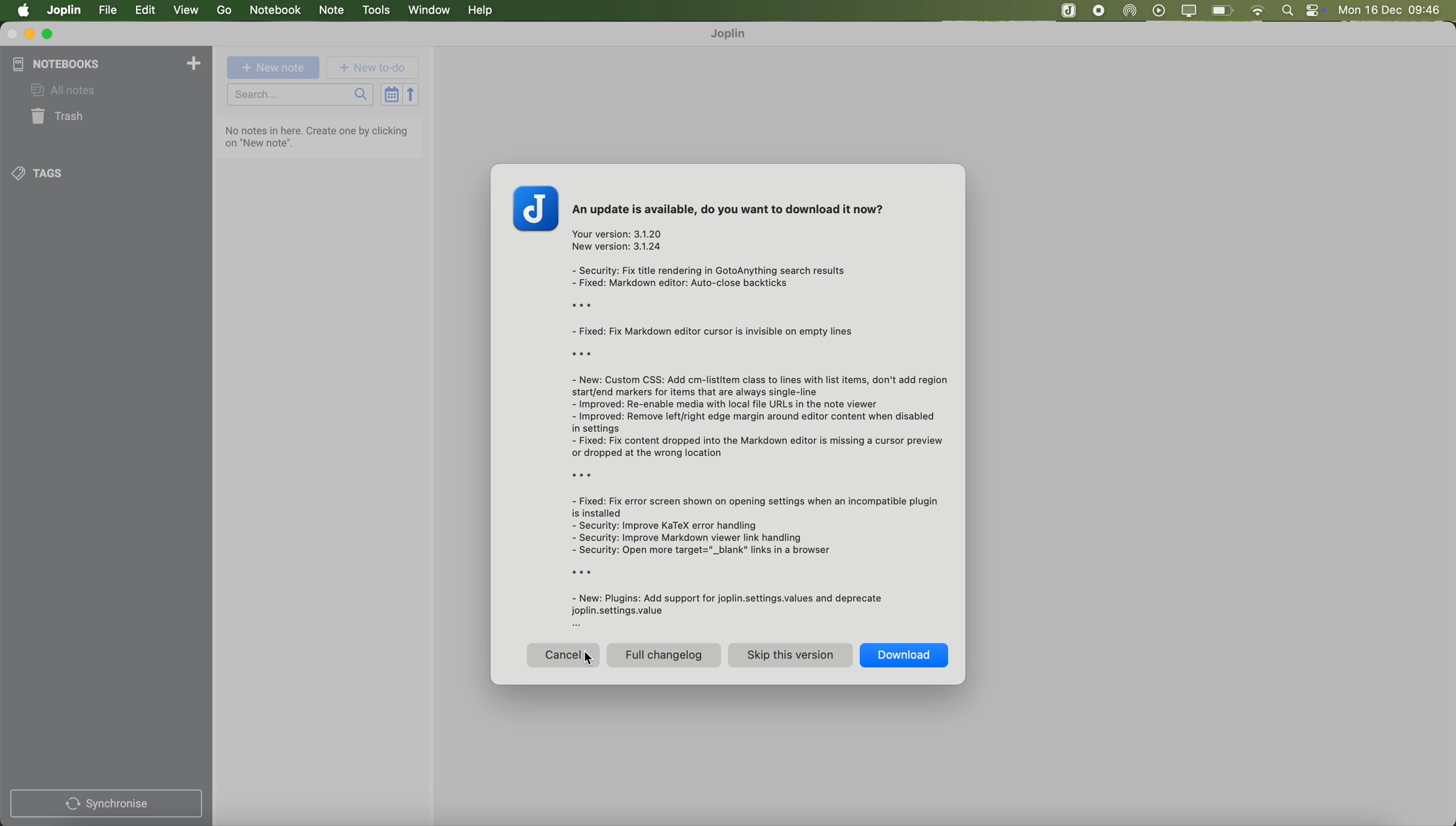 The image size is (1456, 826). I want to click on edit, so click(147, 11).